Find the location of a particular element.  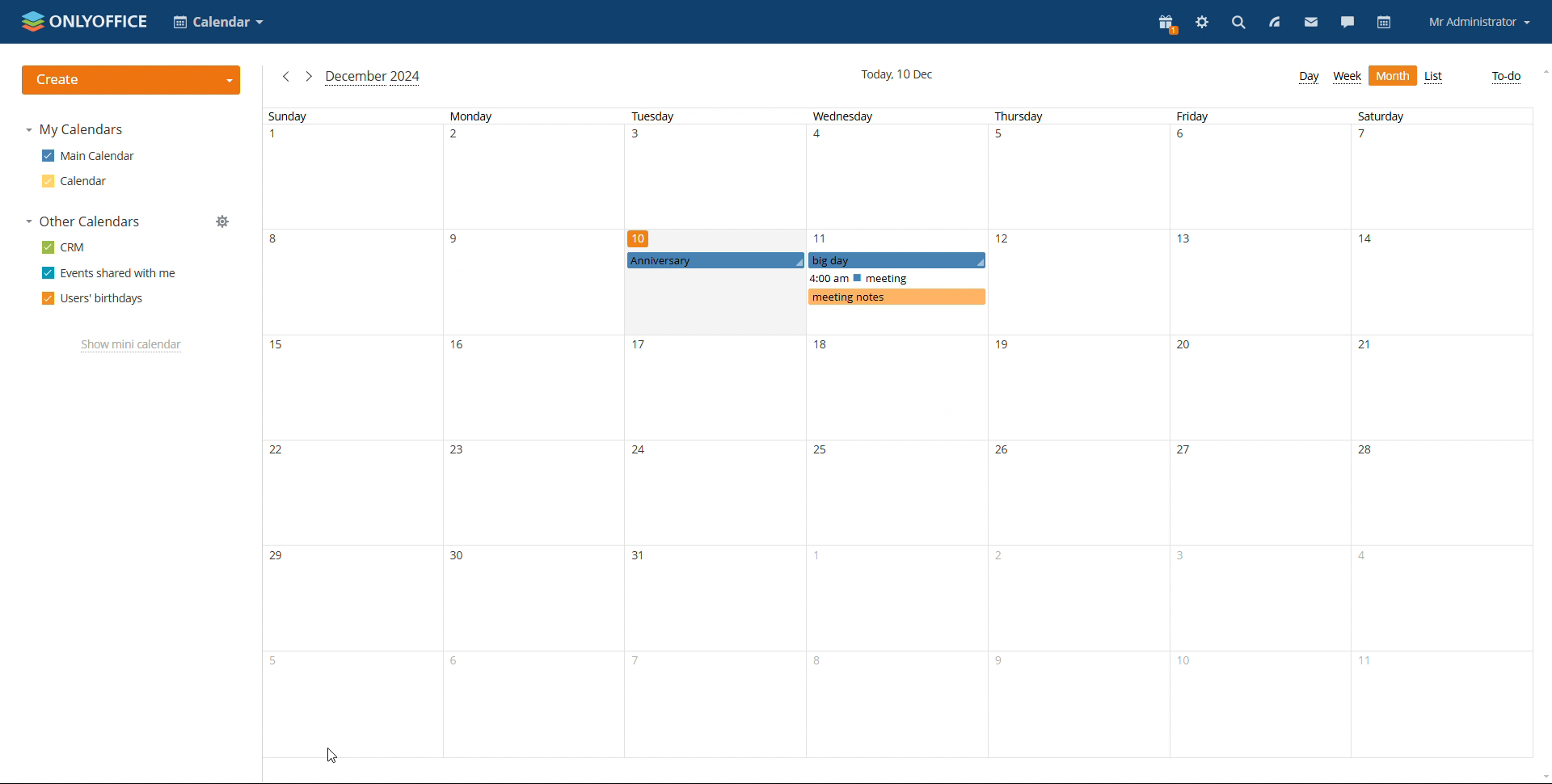

my calendars is located at coordinates (74, 131).